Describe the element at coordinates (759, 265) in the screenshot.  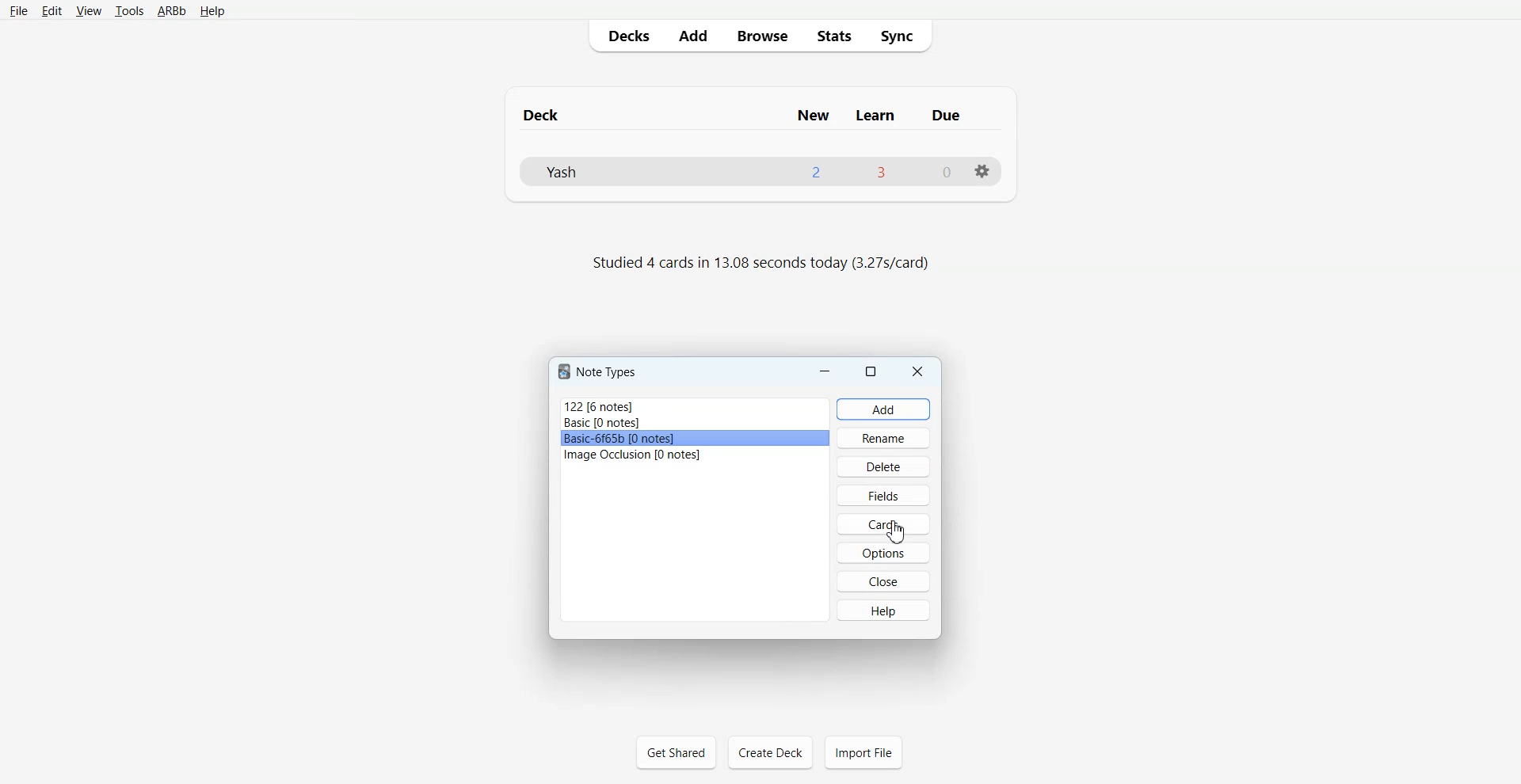
I see `Text 2` at that location.